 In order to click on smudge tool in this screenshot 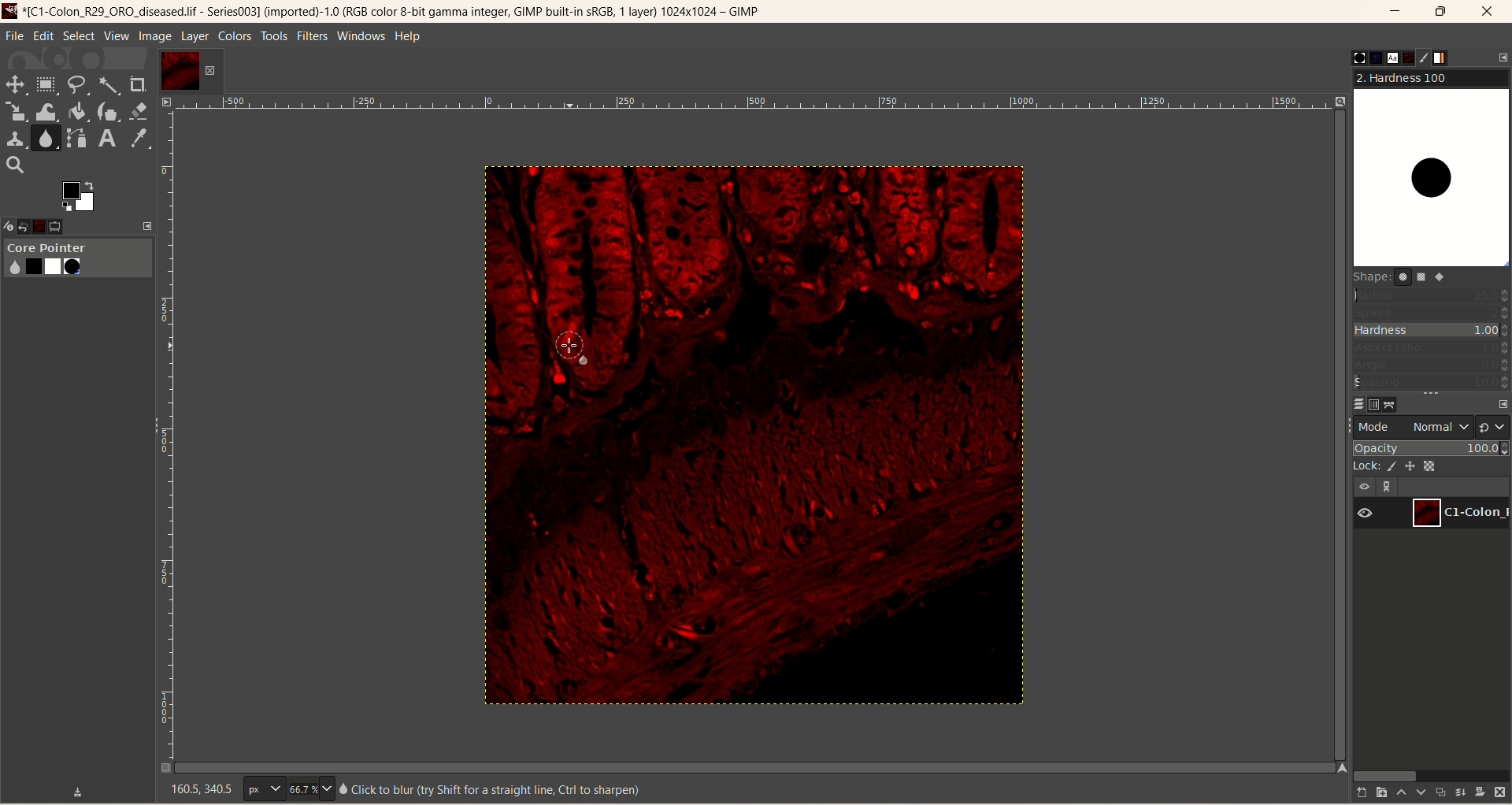, I will do `click(47, 138)`.